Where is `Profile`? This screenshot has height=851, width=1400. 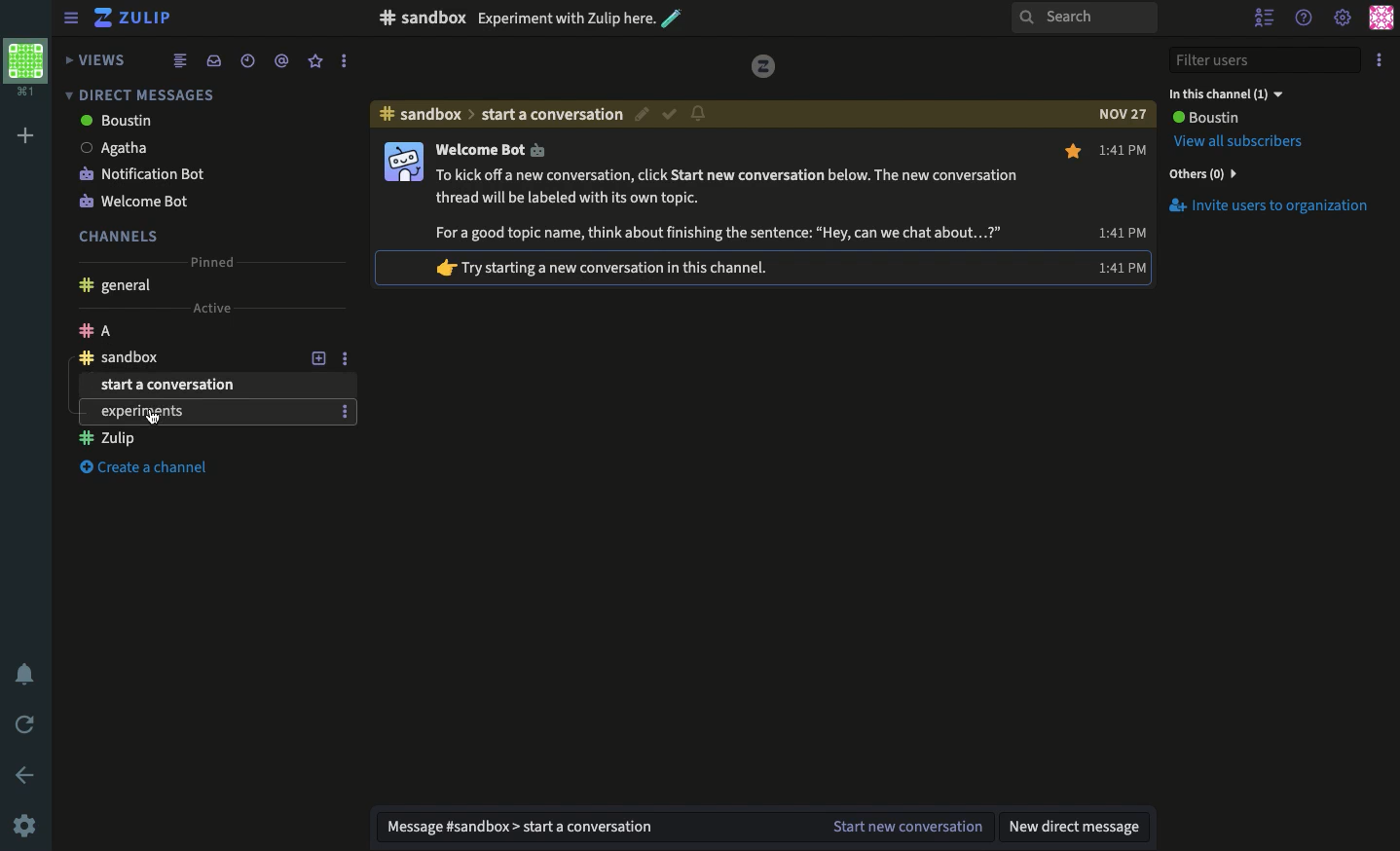 Profile is located at coordinates (402, 163).